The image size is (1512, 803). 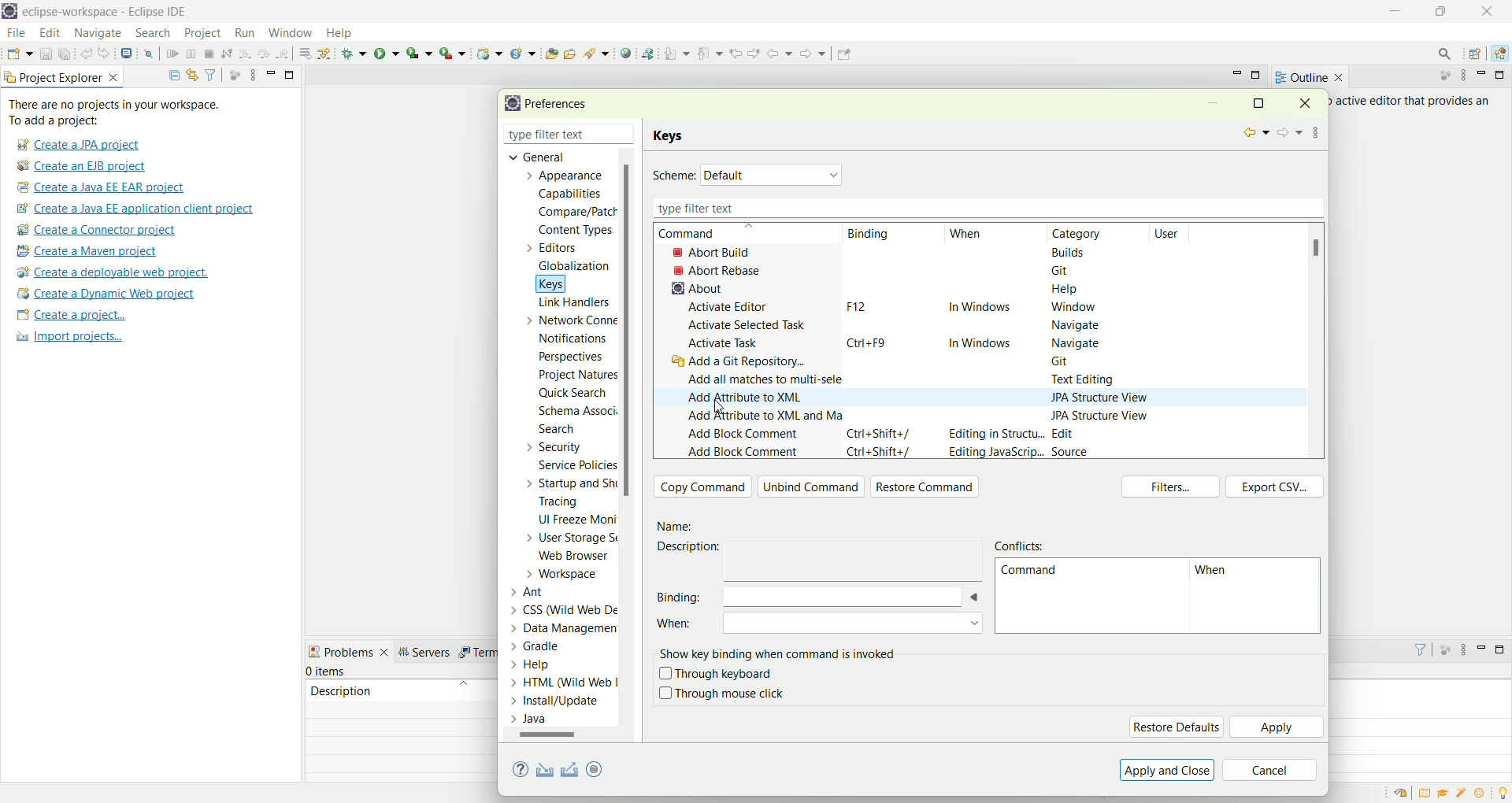 What do you see at coordinates (271, 72) in the screenshot?
I see `minimize` at bounding box center [271, 72].